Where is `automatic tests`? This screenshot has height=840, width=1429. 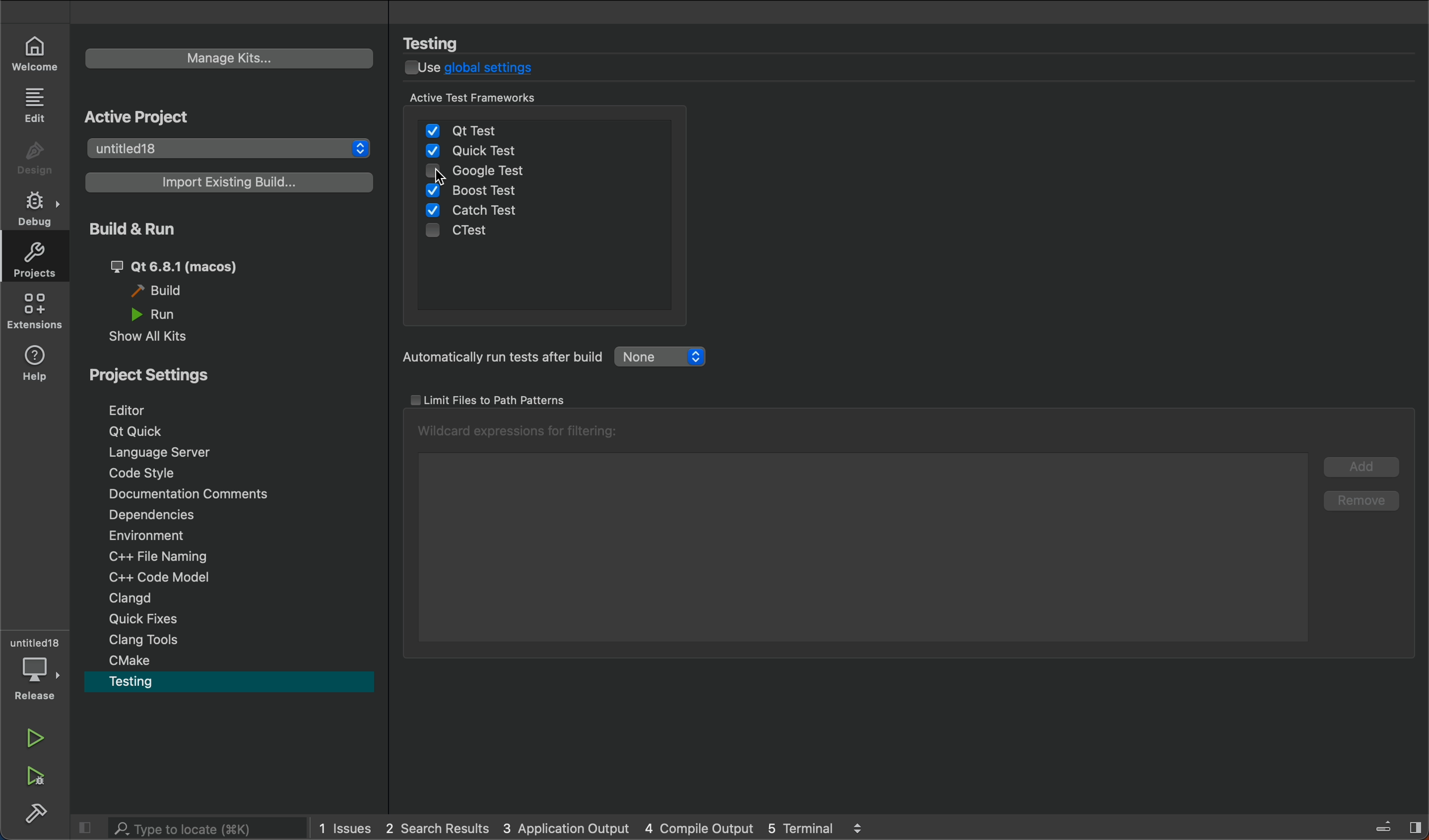
automatic tests is located at coordinates (559, 359).